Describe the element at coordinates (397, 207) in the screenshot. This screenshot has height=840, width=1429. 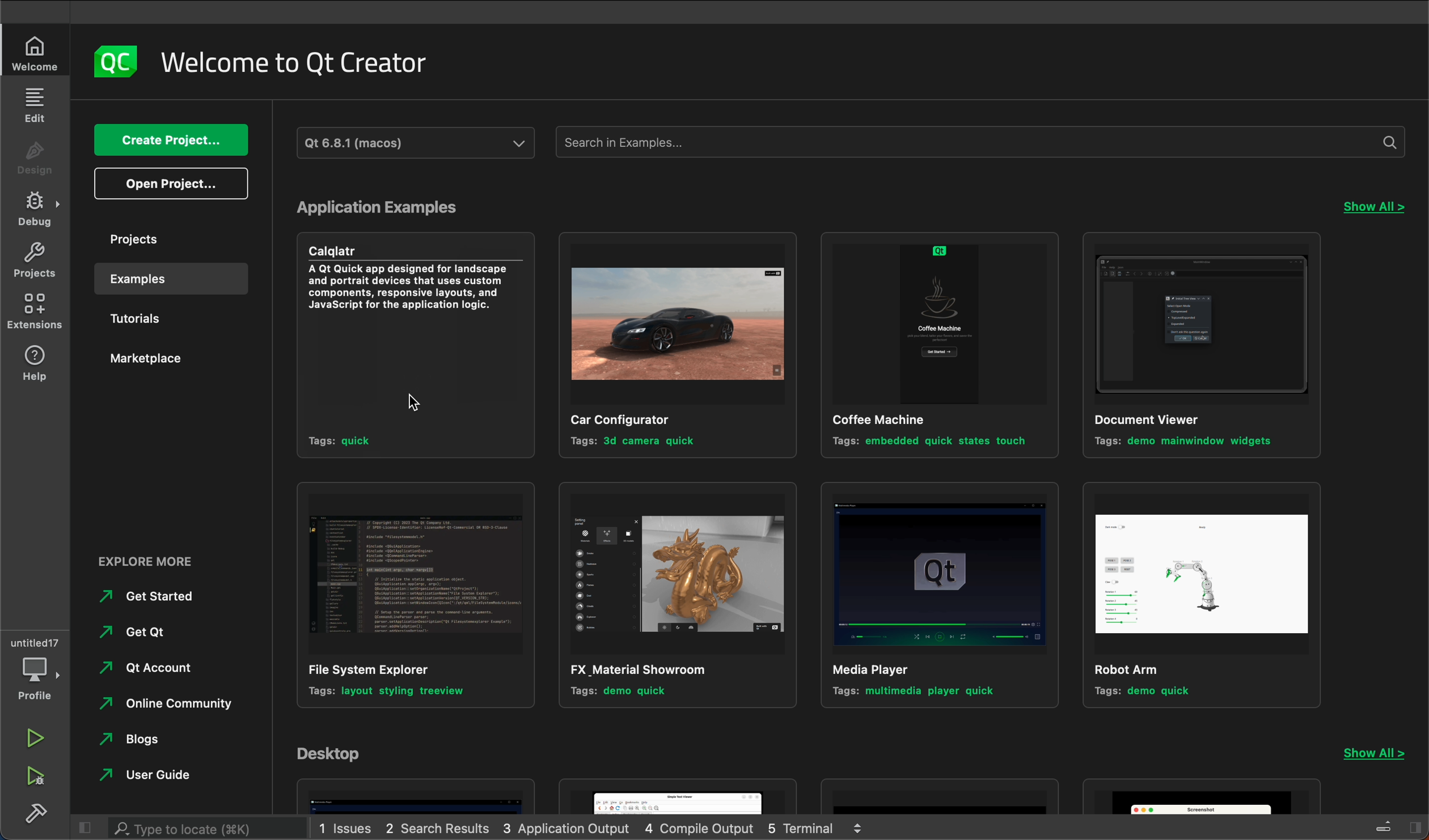
I see `application examples` at that location.